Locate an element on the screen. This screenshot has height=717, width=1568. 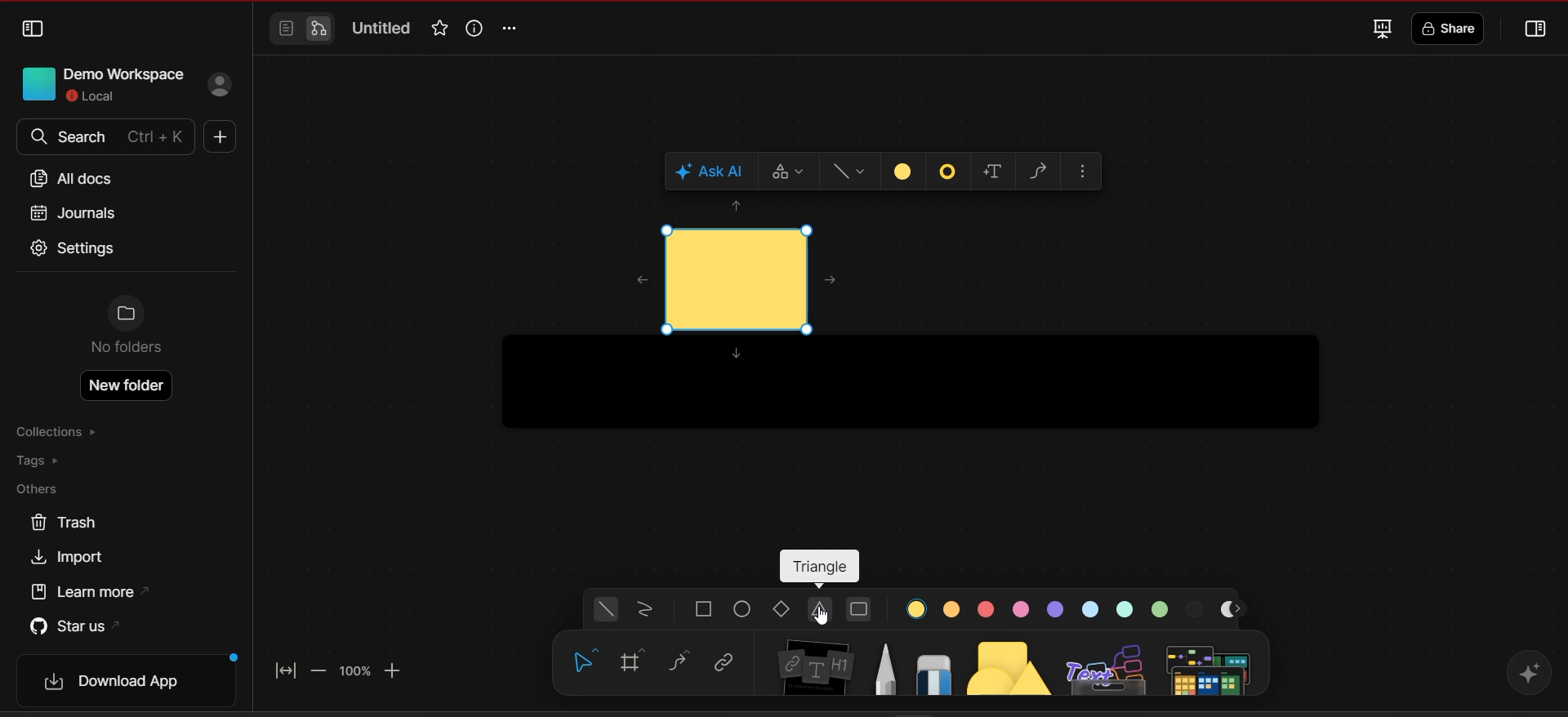
add text is located at coordinates (991, 173).